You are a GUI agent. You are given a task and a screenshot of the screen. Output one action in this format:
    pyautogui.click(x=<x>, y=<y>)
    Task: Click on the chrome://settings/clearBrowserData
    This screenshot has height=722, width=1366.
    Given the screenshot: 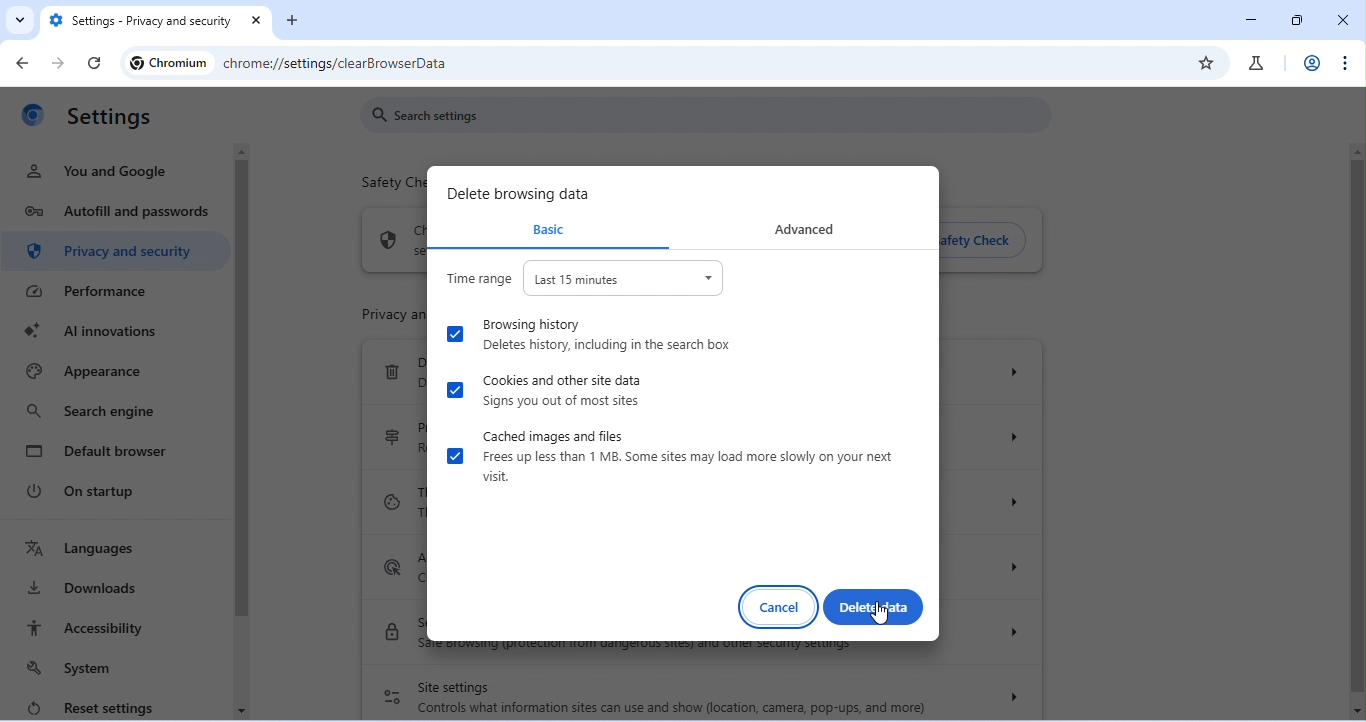 What is the action you would take?
    pyautogui.click(x=341, y=65)
    